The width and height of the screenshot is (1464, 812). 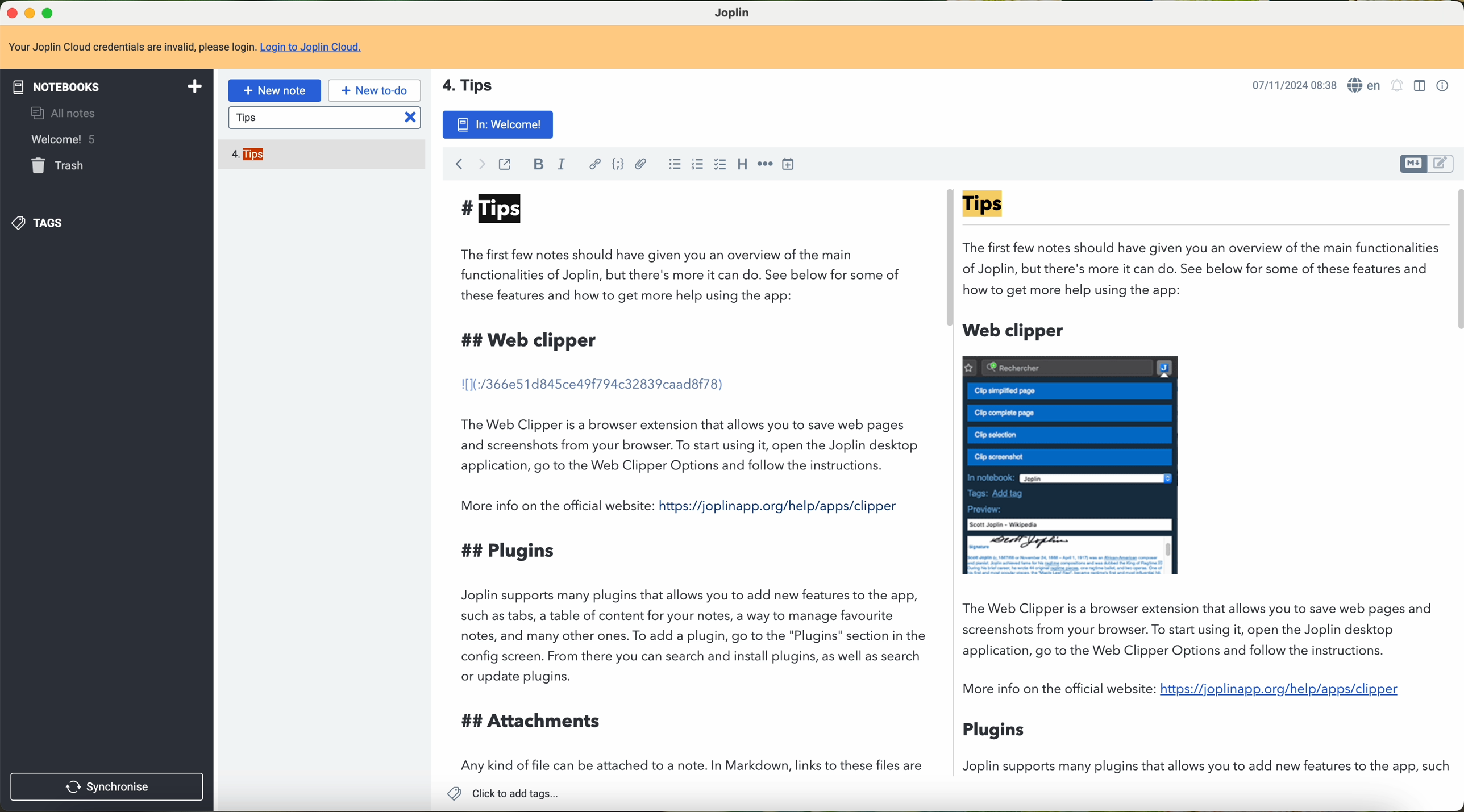 I want to click on tips note, so click(x=251, y=155).